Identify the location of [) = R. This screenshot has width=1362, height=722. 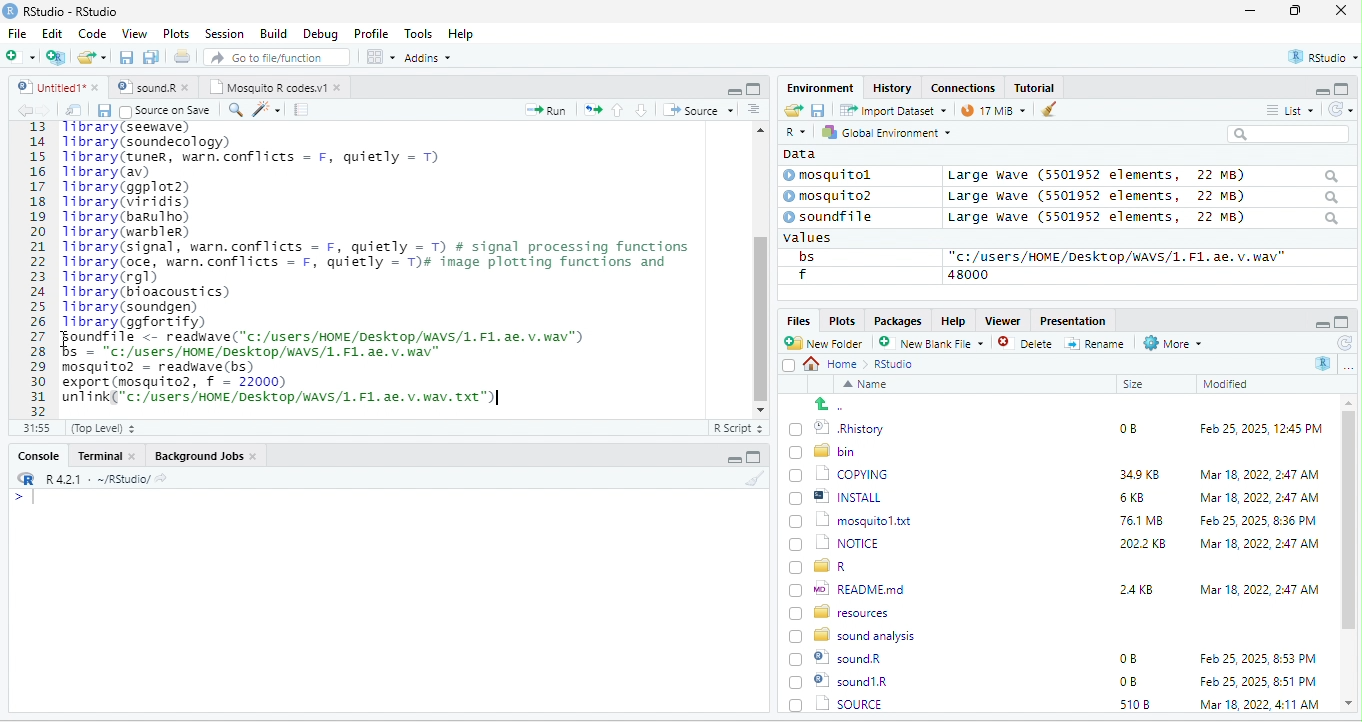
(830, 567).